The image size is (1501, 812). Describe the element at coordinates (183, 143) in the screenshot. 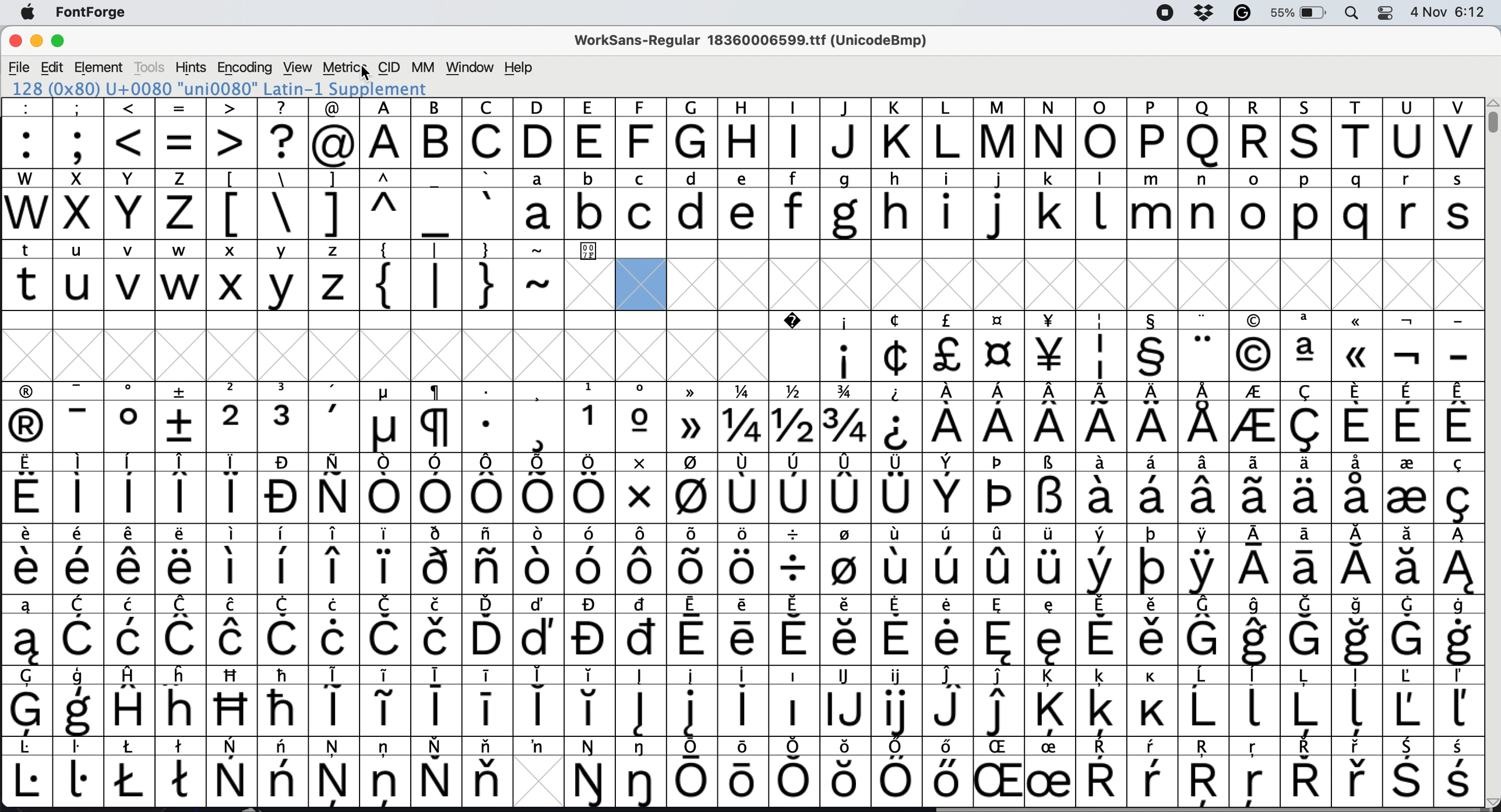

I see `special characters` at that location.